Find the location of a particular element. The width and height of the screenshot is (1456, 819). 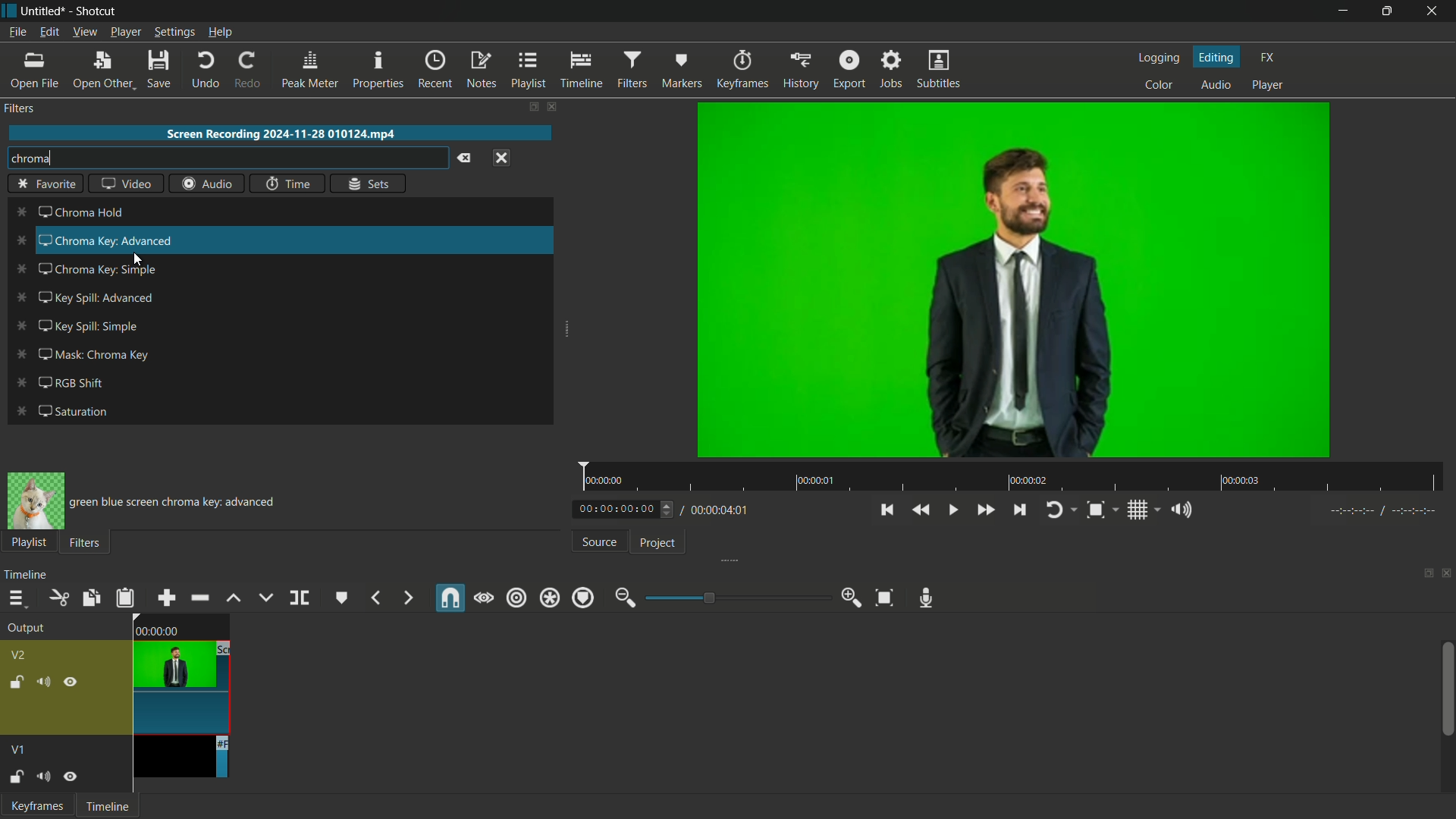

current time is located at coordinates (616, 508).